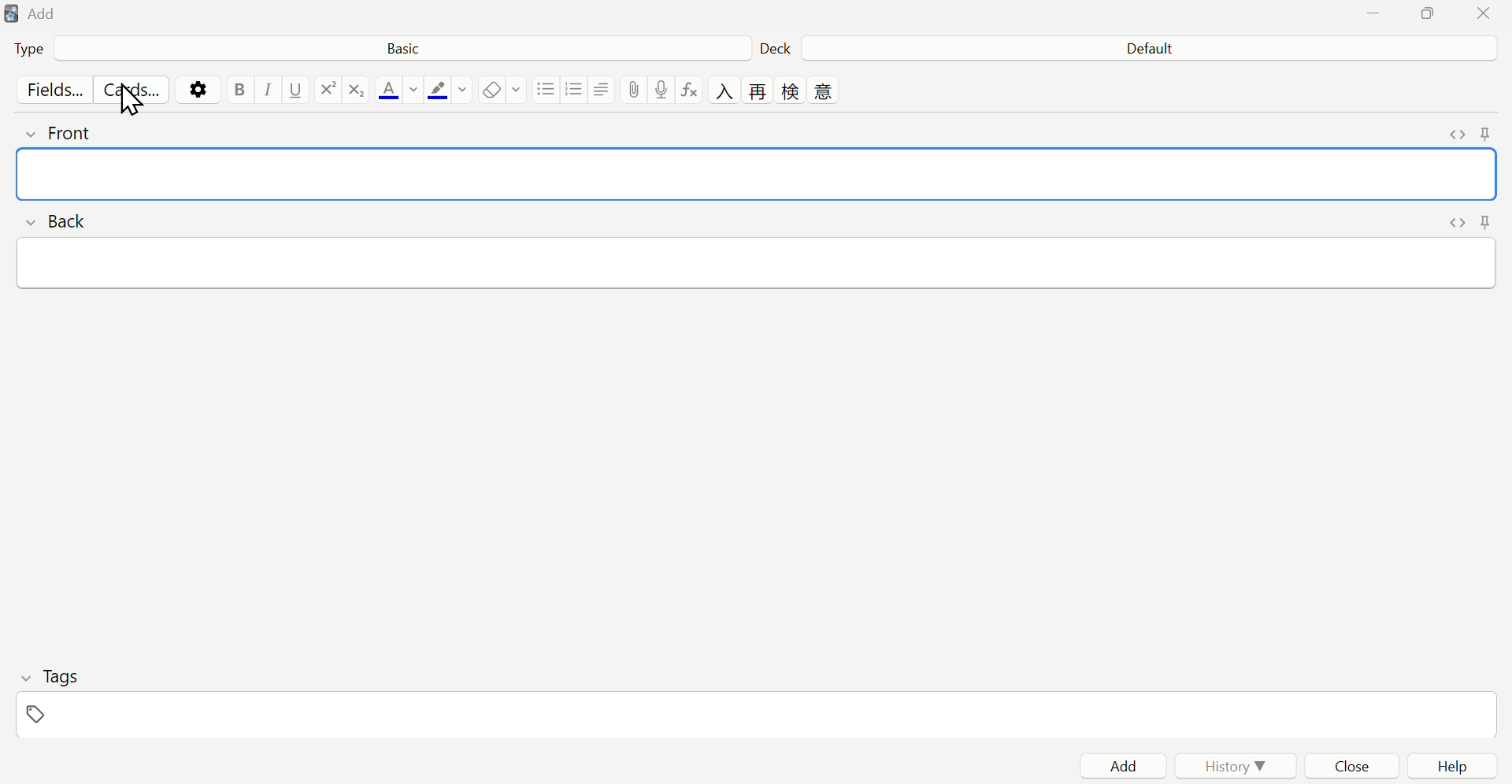 This screenshot has width=1512, height=784. Describe the element at coordinates (268, 91) in the screenshot. I see `Italic` at that location.